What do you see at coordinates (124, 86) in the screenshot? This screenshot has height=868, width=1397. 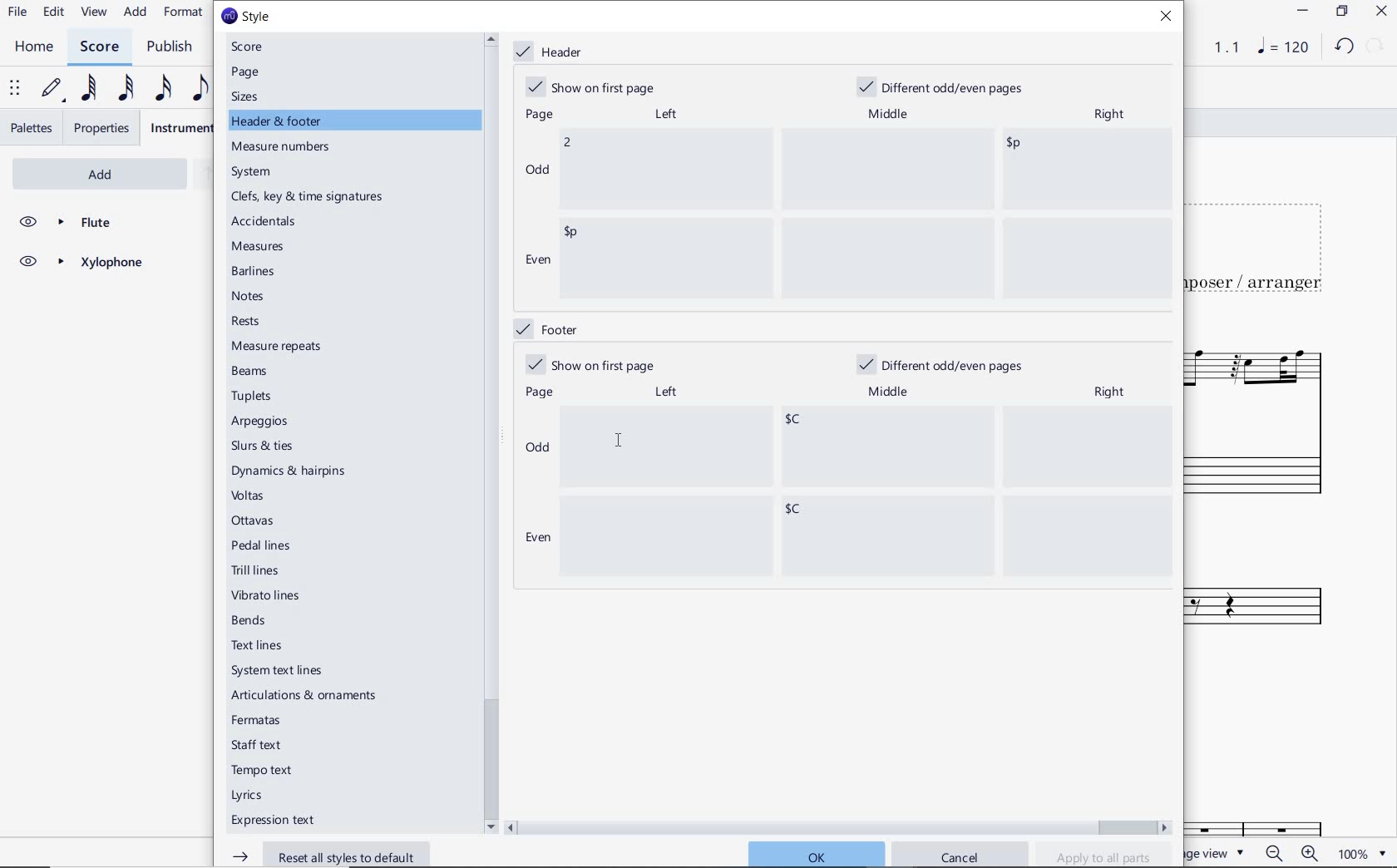 I see `32ND NOTE` at bounding box center [124, 86].